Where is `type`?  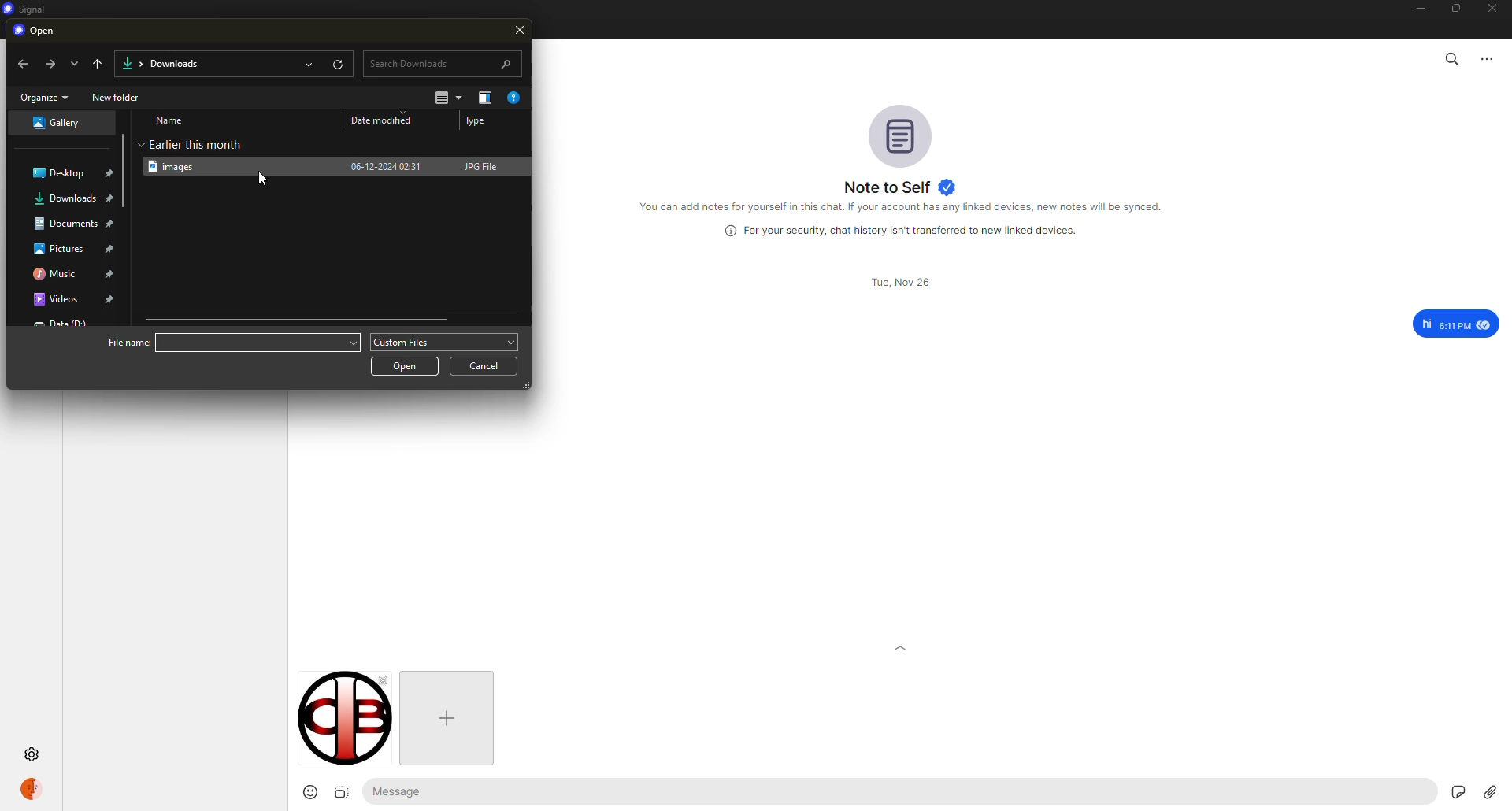 type is located at coordinates (477, 121).